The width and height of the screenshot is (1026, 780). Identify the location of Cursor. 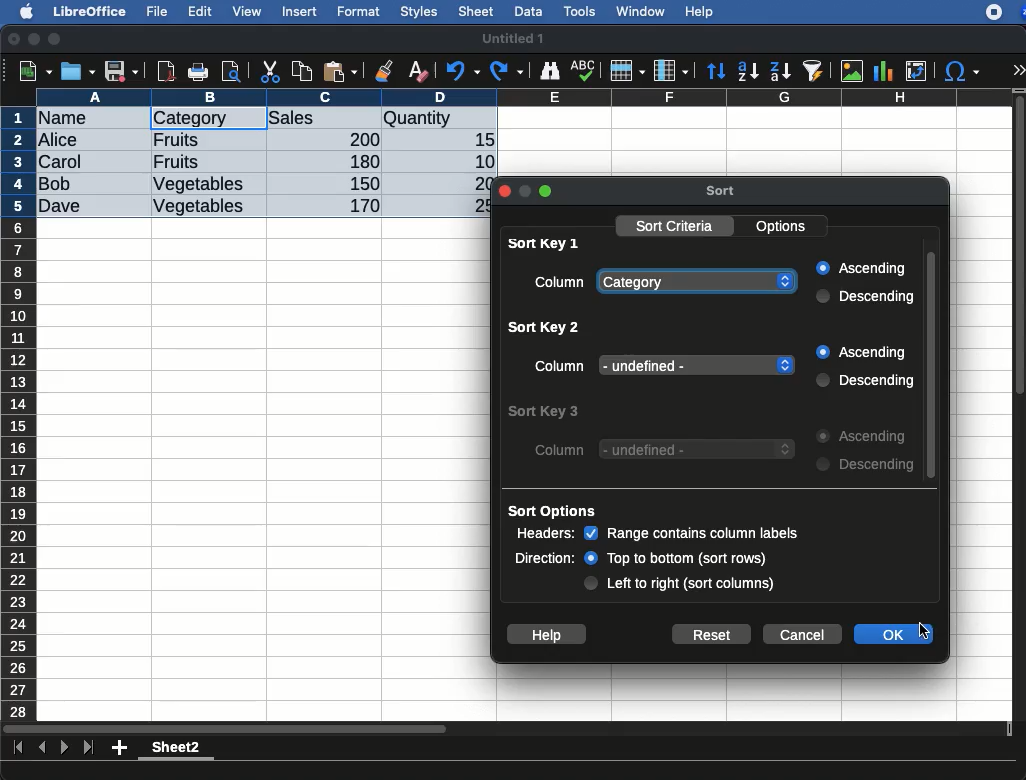
(926, 629).